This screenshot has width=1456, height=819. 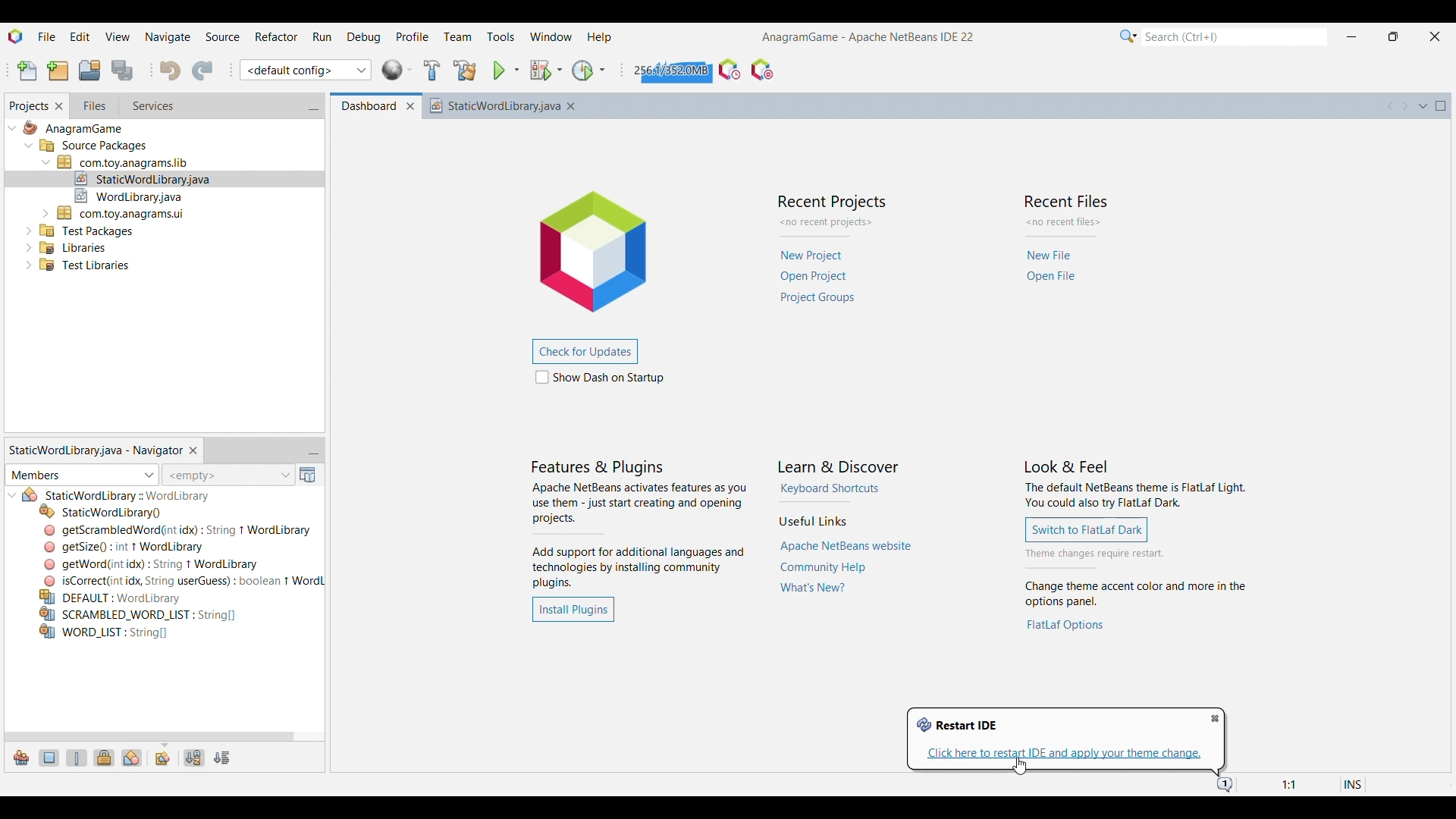 I want to click on Undo, so click(x=170, y=71).